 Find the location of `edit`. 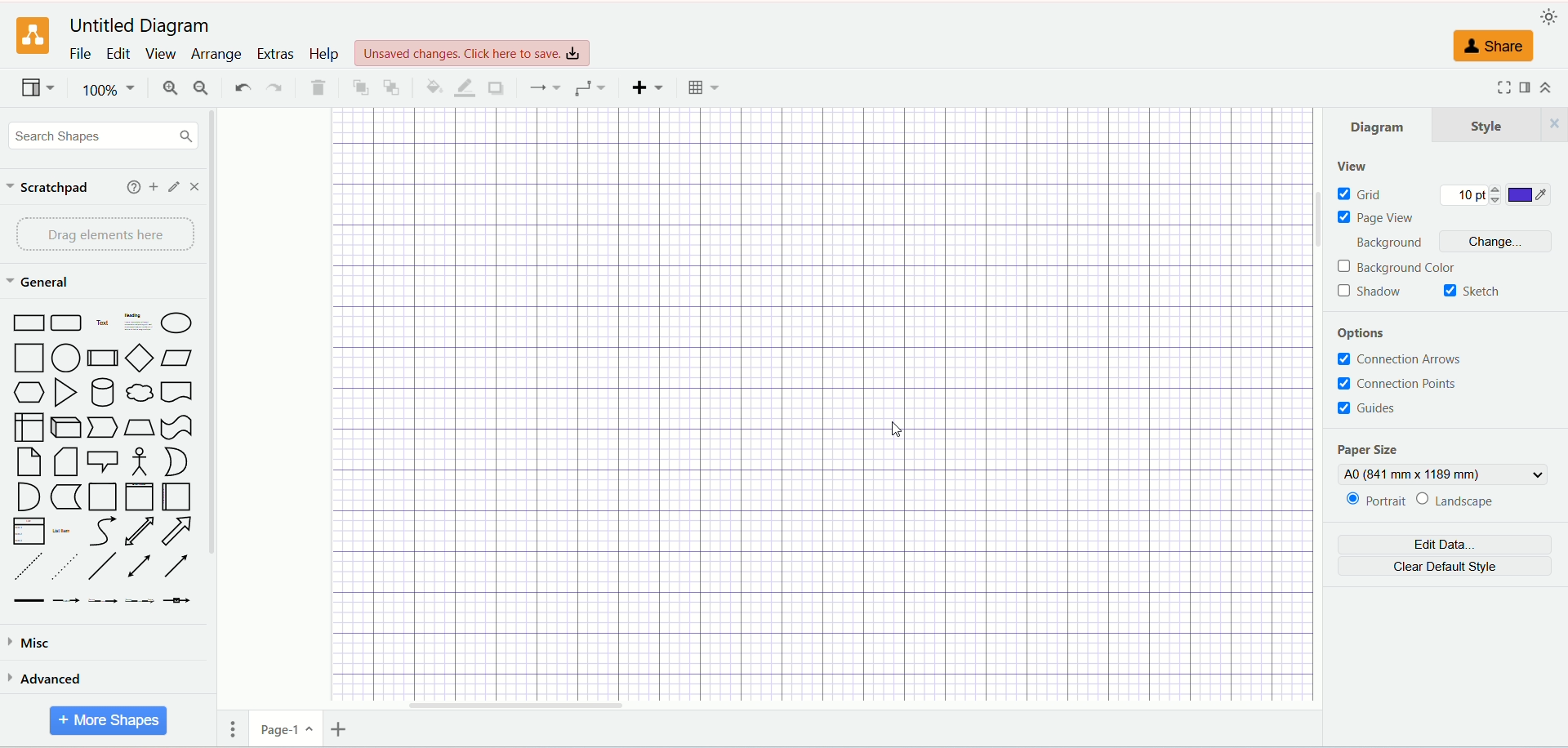

edit is located at coordinates (120, 53).